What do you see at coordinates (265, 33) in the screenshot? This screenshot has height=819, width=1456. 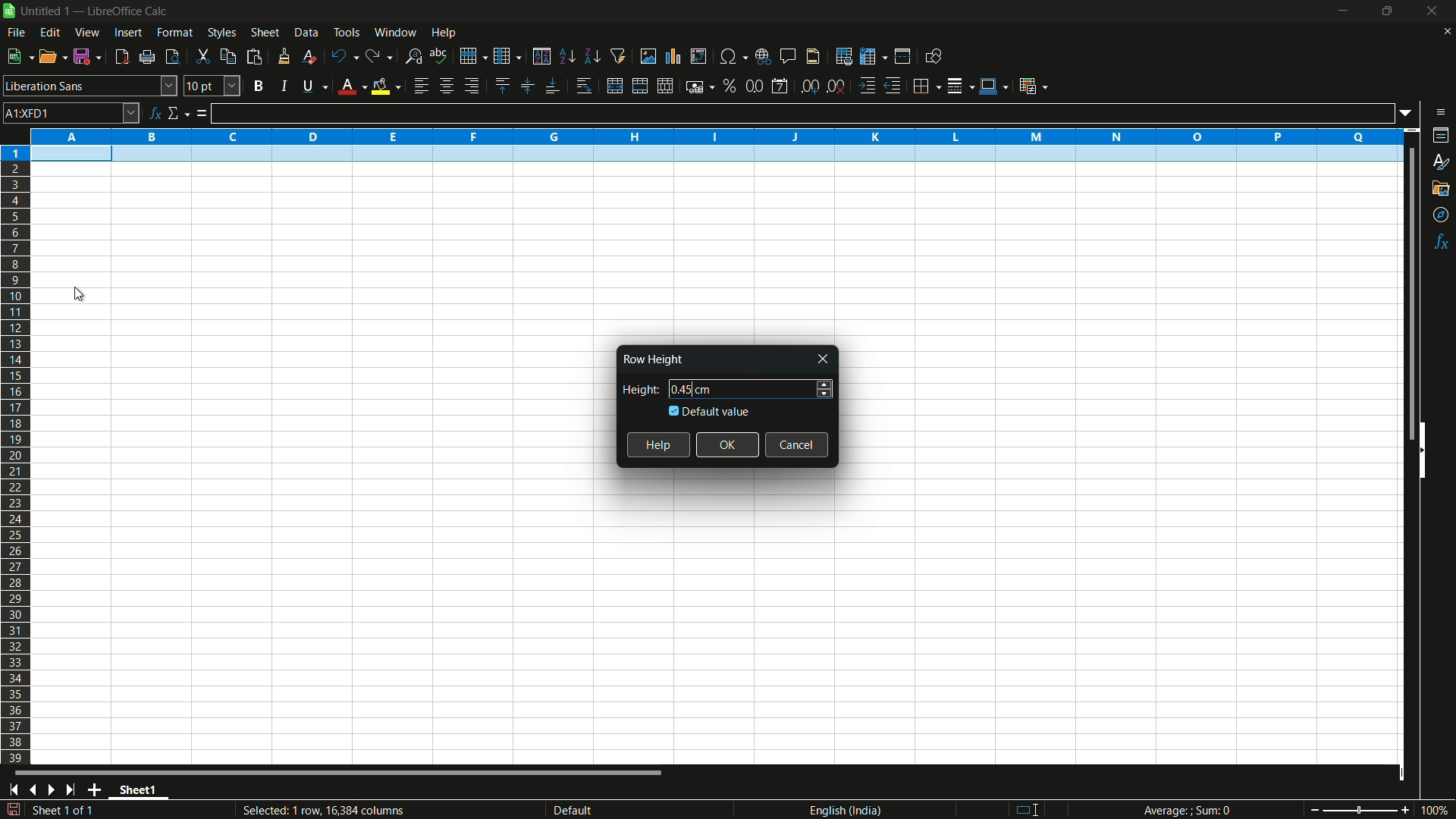 I see `sheet menu` at bounding box center [265, 33].